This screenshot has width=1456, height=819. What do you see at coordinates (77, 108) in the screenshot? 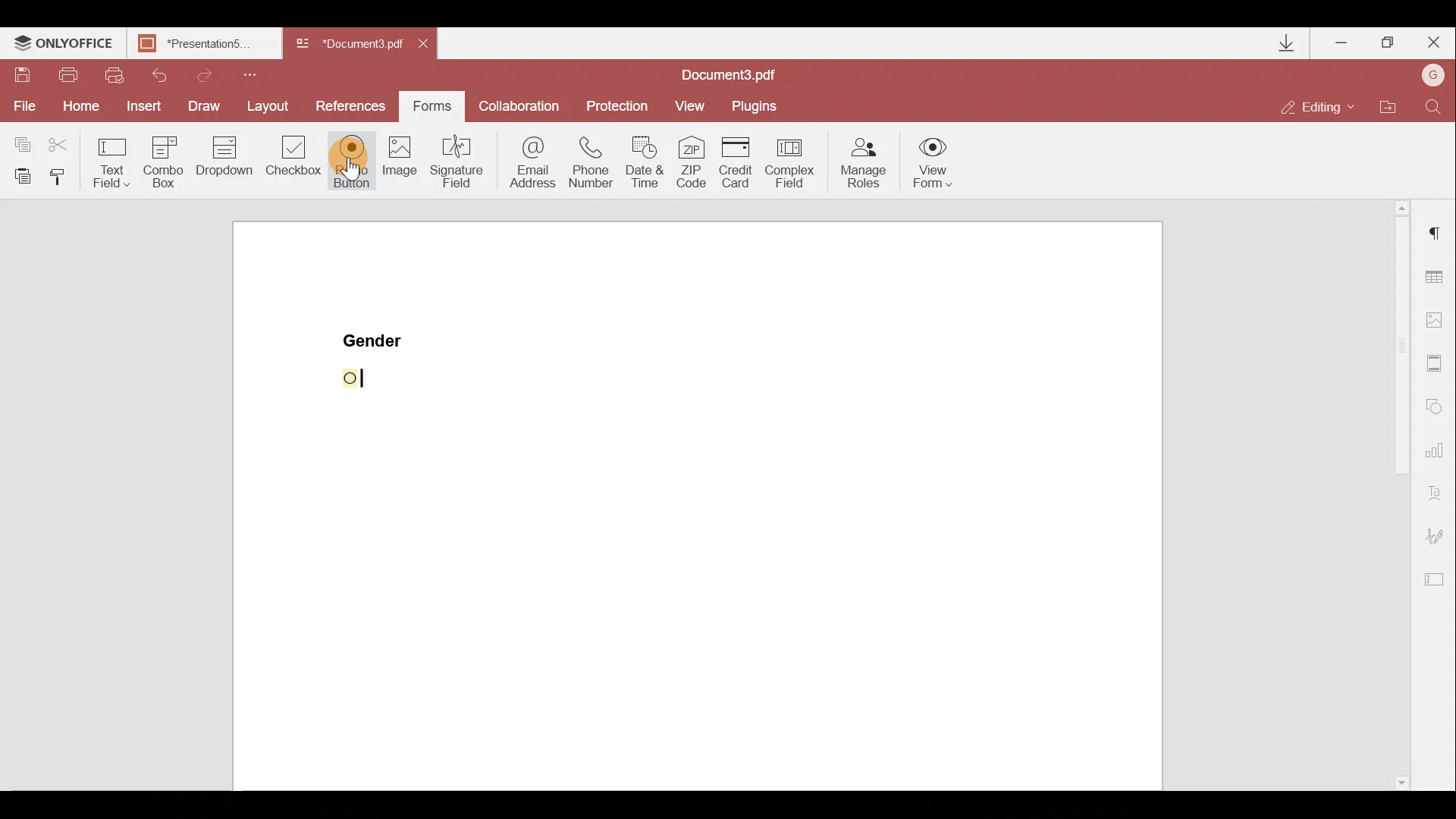
I see `Home` at bounding box center [77, 108].